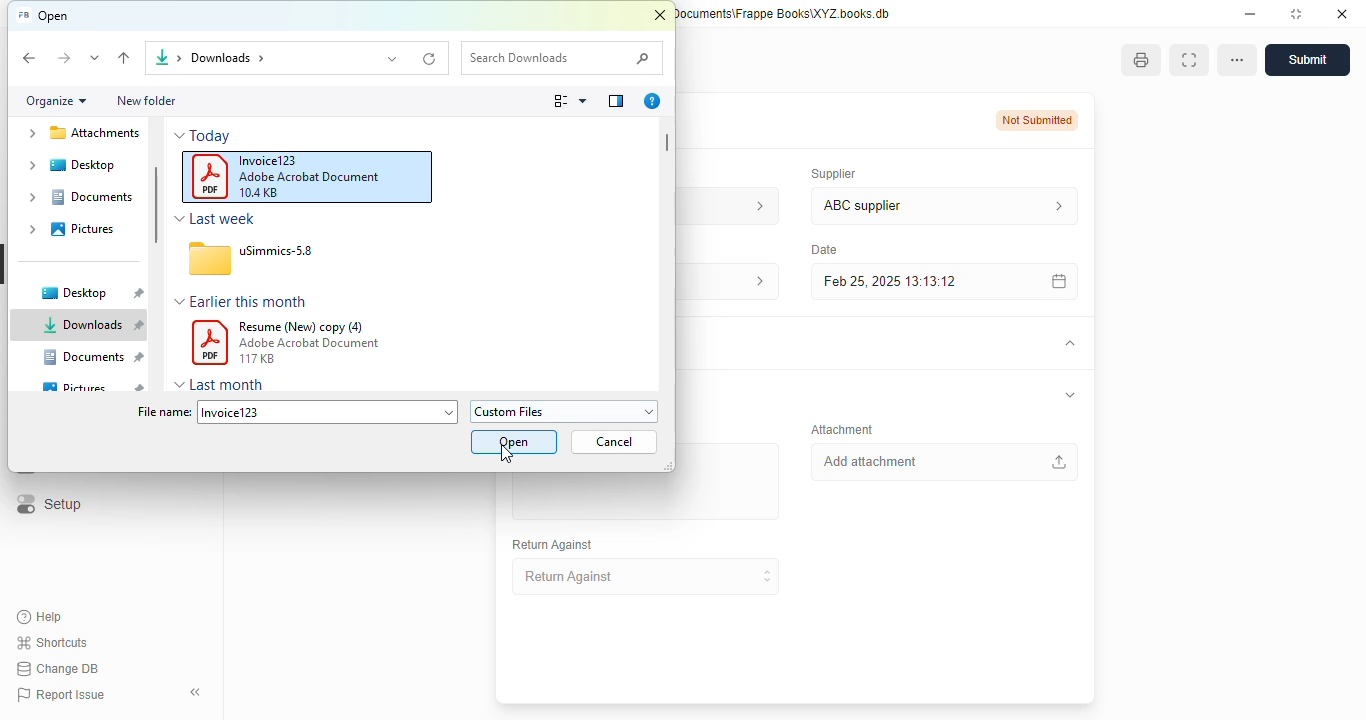 The height and width of the screenshot is (720, 1366). Describe the element at coordinates (210, 258) in the screenshot. I see `file icon` at that location.